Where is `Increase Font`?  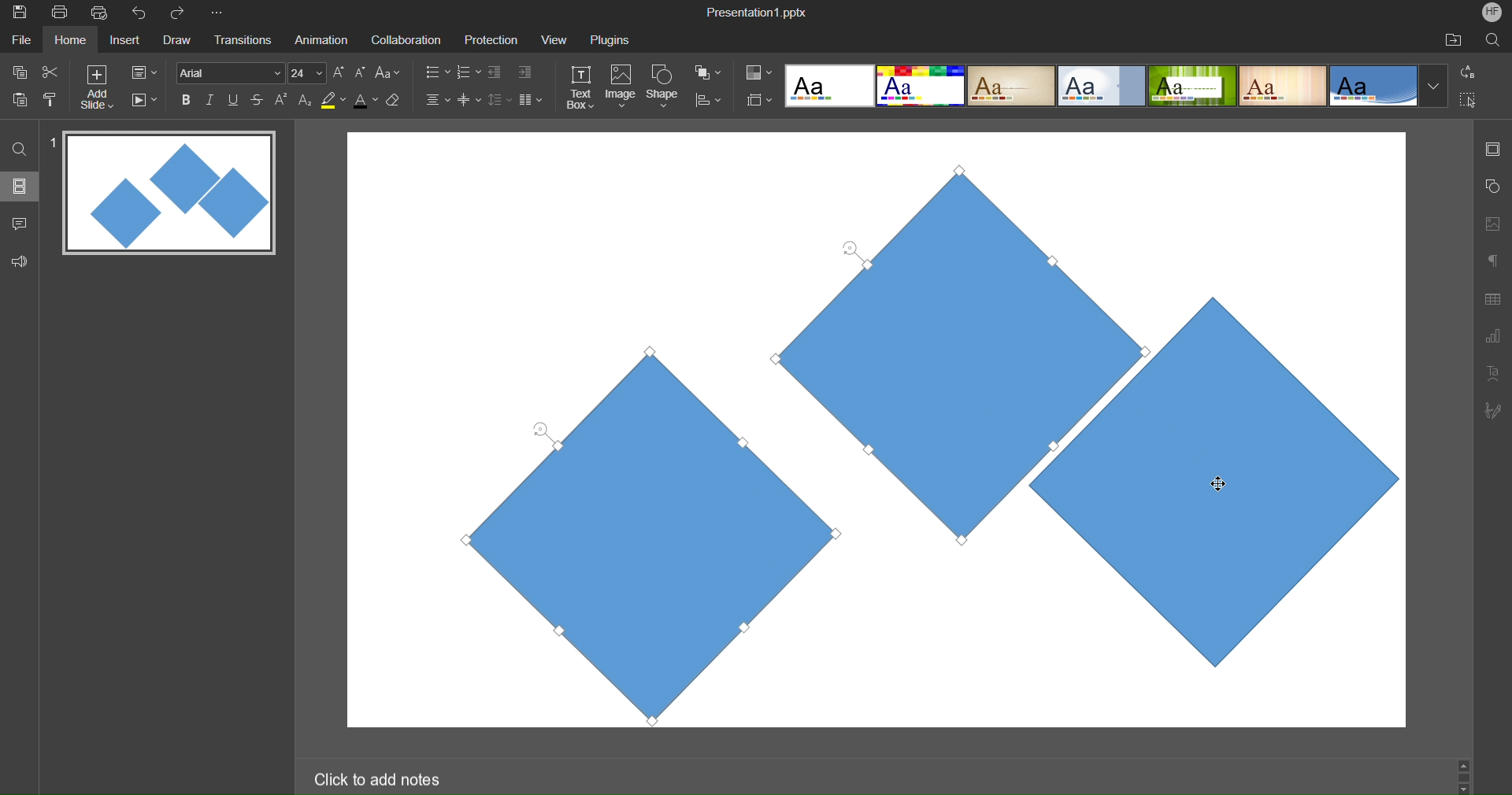
Increase Font is located at coordinates (339, 72).